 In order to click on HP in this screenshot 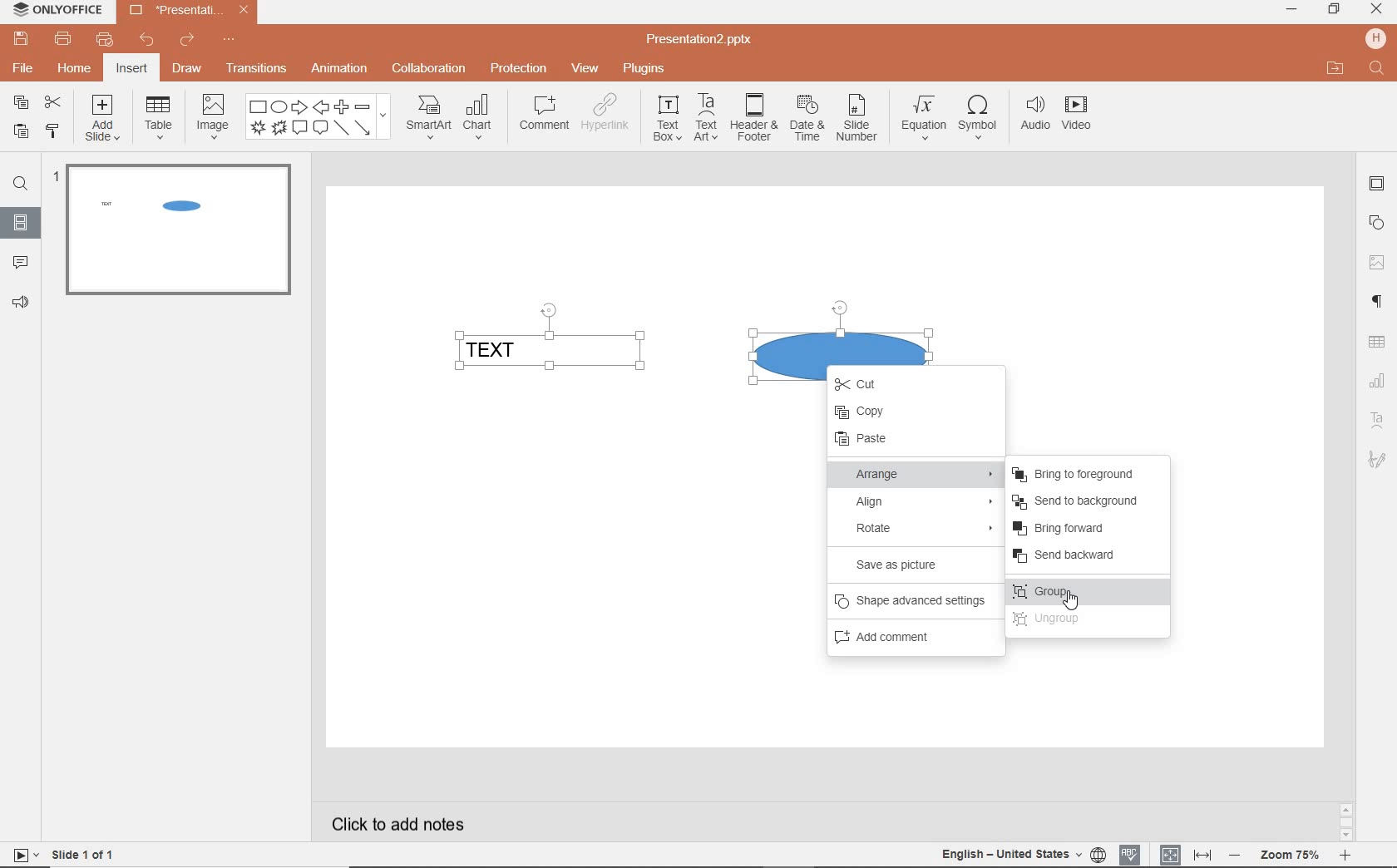, I will do `click(1377, 38)`.